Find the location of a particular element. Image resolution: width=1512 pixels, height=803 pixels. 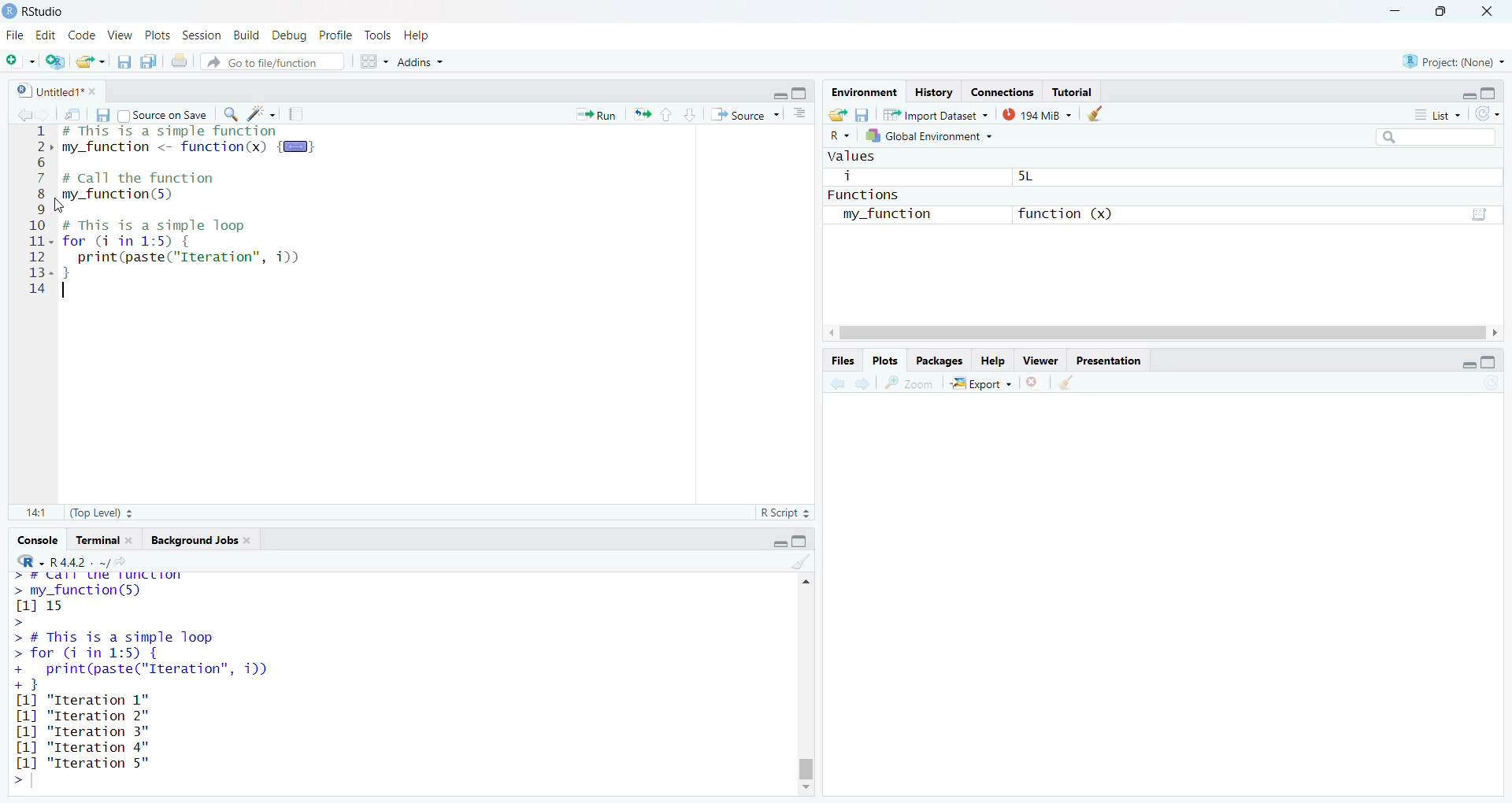

code of a simple function is located at coordinates (195, 142).